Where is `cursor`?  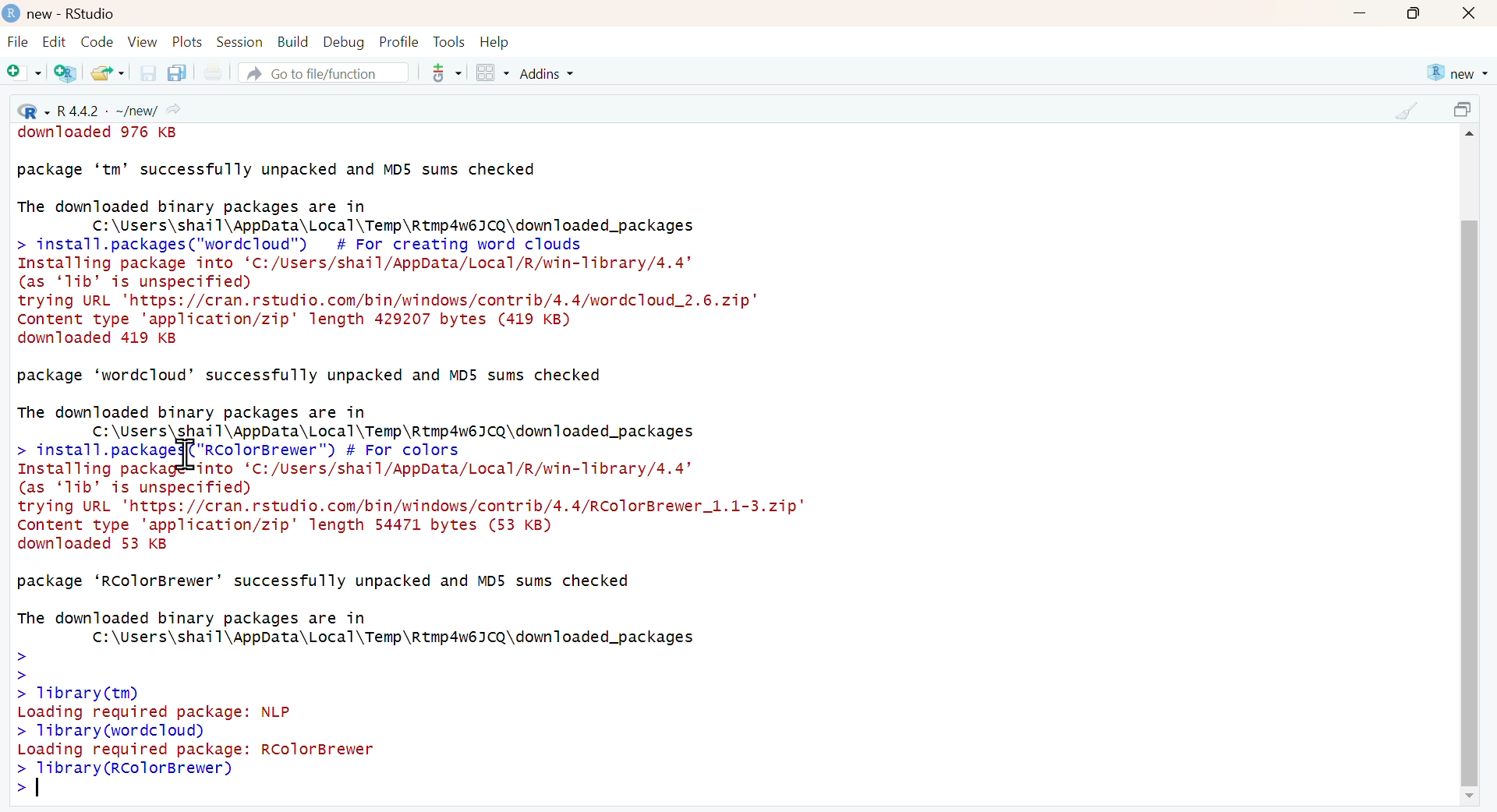
cursor is located at coordinates (189, 457).